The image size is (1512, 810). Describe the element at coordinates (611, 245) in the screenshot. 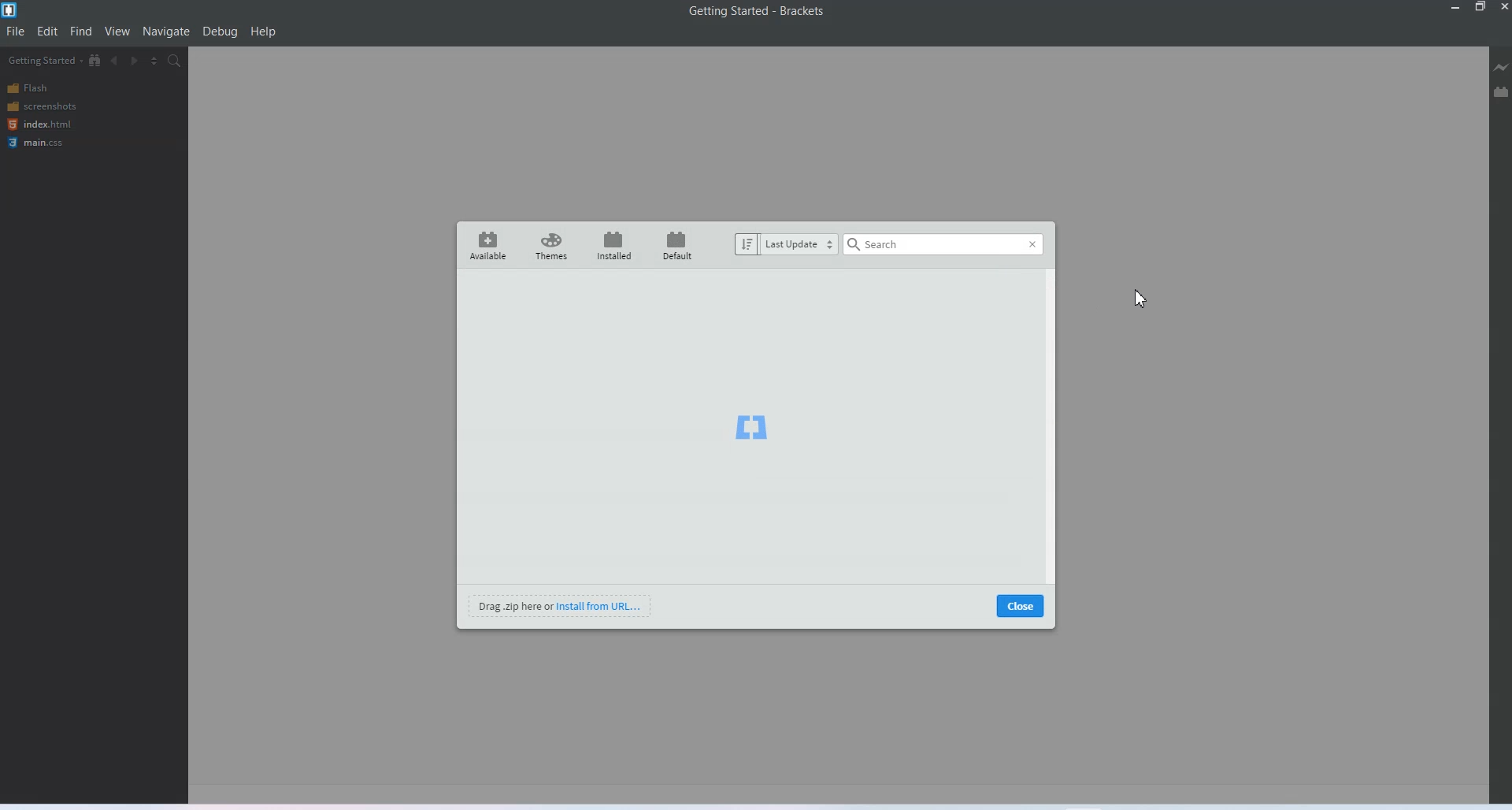

I see `Installed` at that location.